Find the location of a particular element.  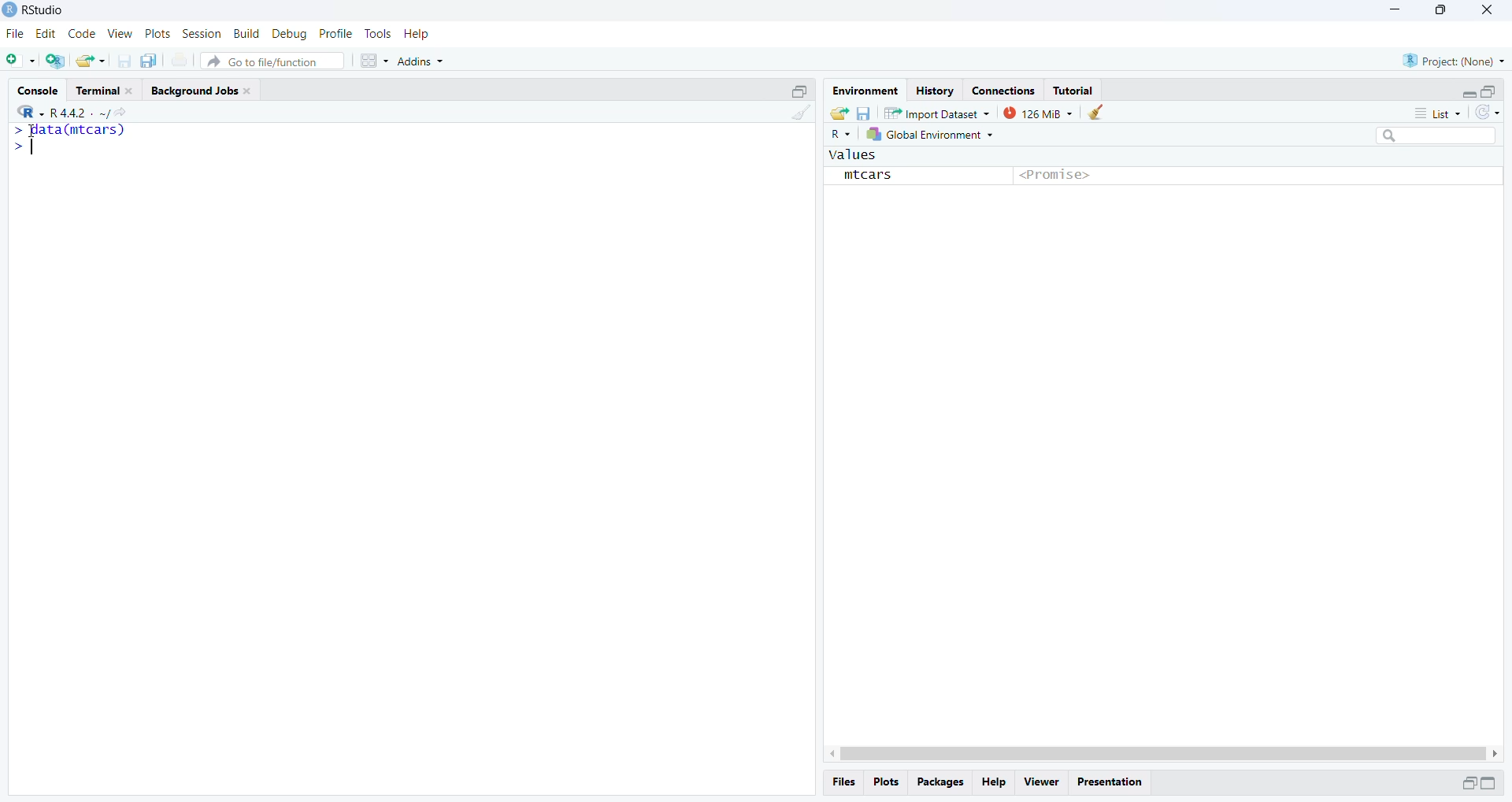

Viewer is located at coordinates (1041, 783).